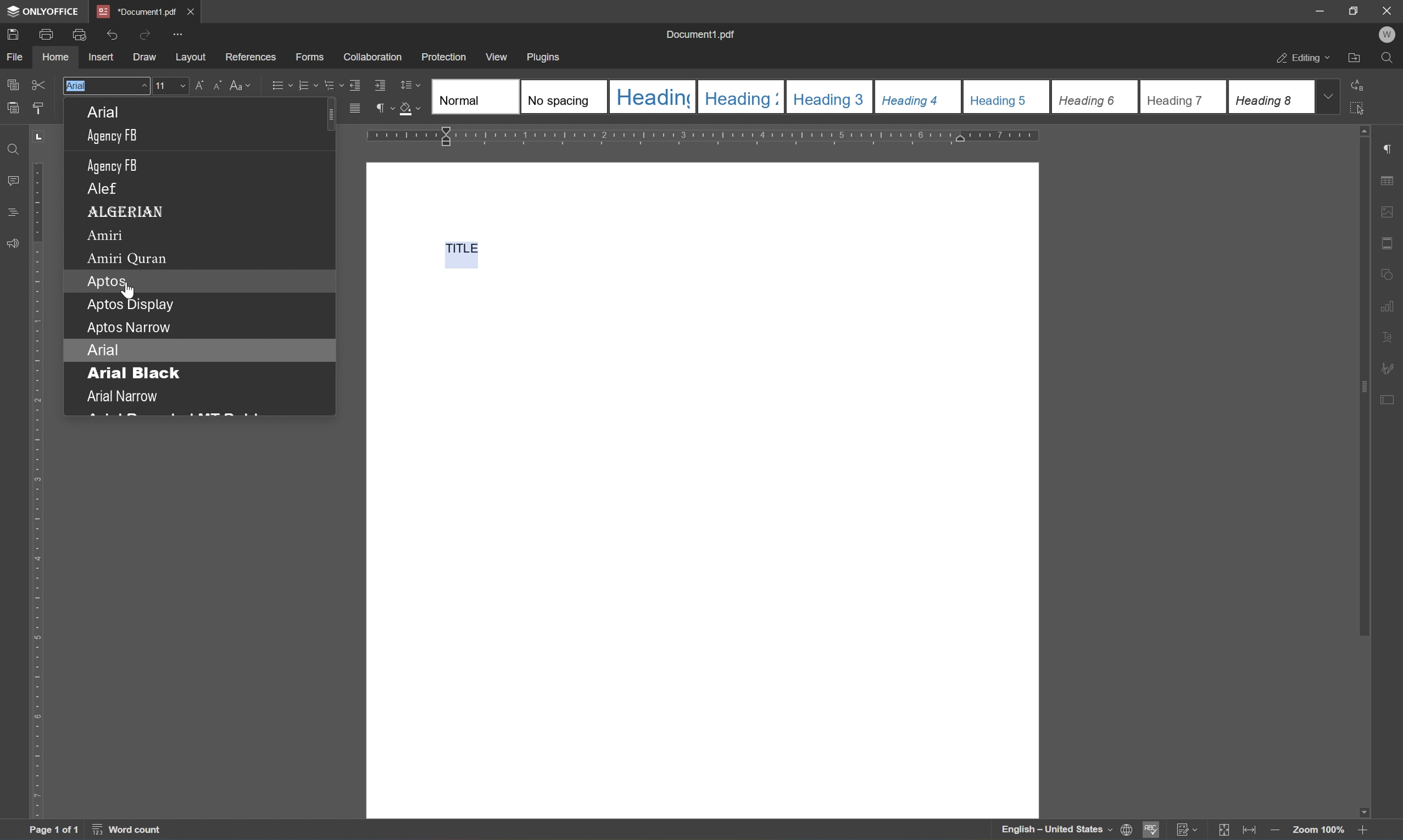  What do you see at coordinates (308, 85) in the screenshot?
I see `numbering` at bounding box center [308, 85].